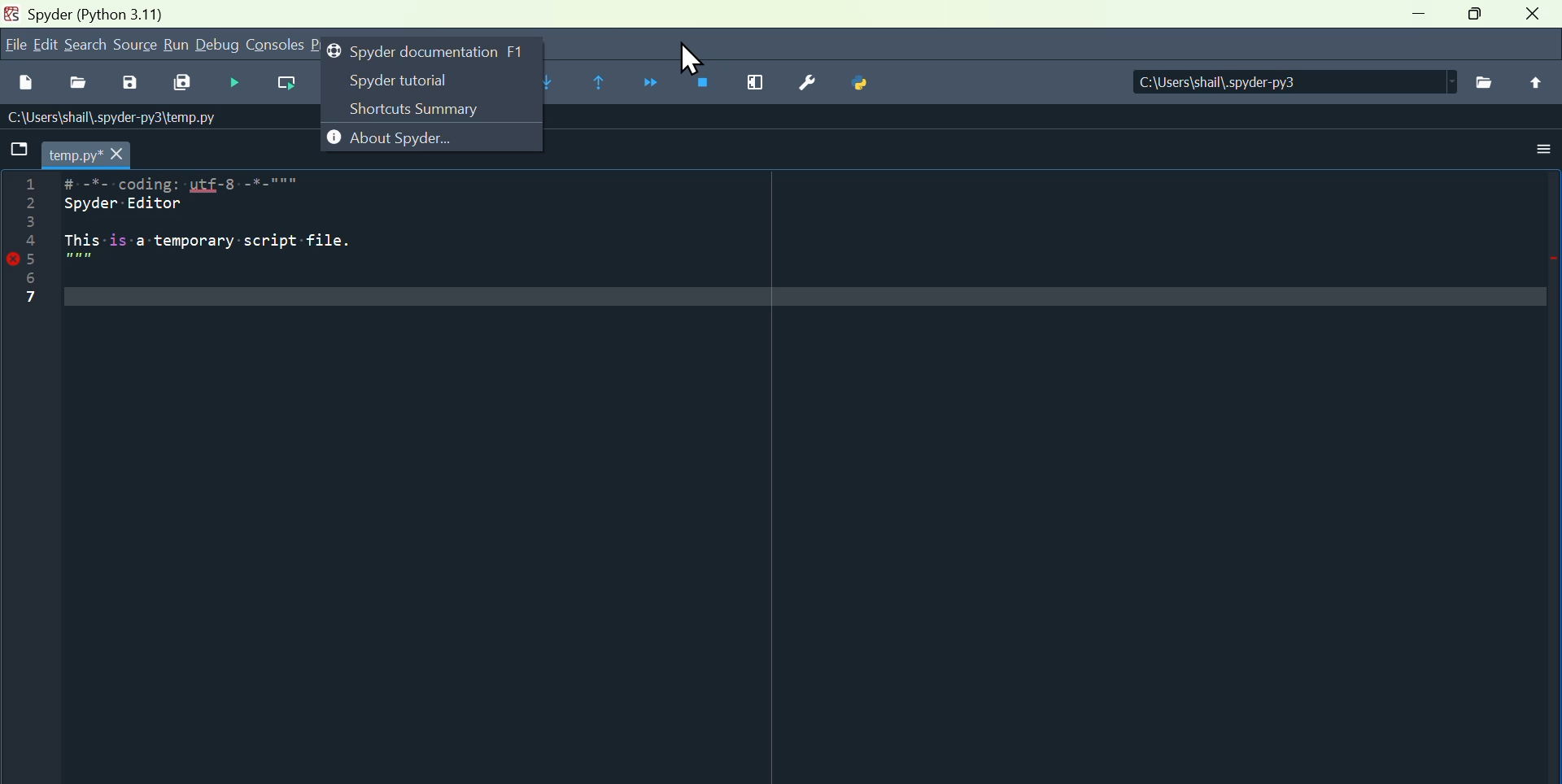  Describe the element at coordinates (136, 44) in the screenshot. I see `Source` at that location.